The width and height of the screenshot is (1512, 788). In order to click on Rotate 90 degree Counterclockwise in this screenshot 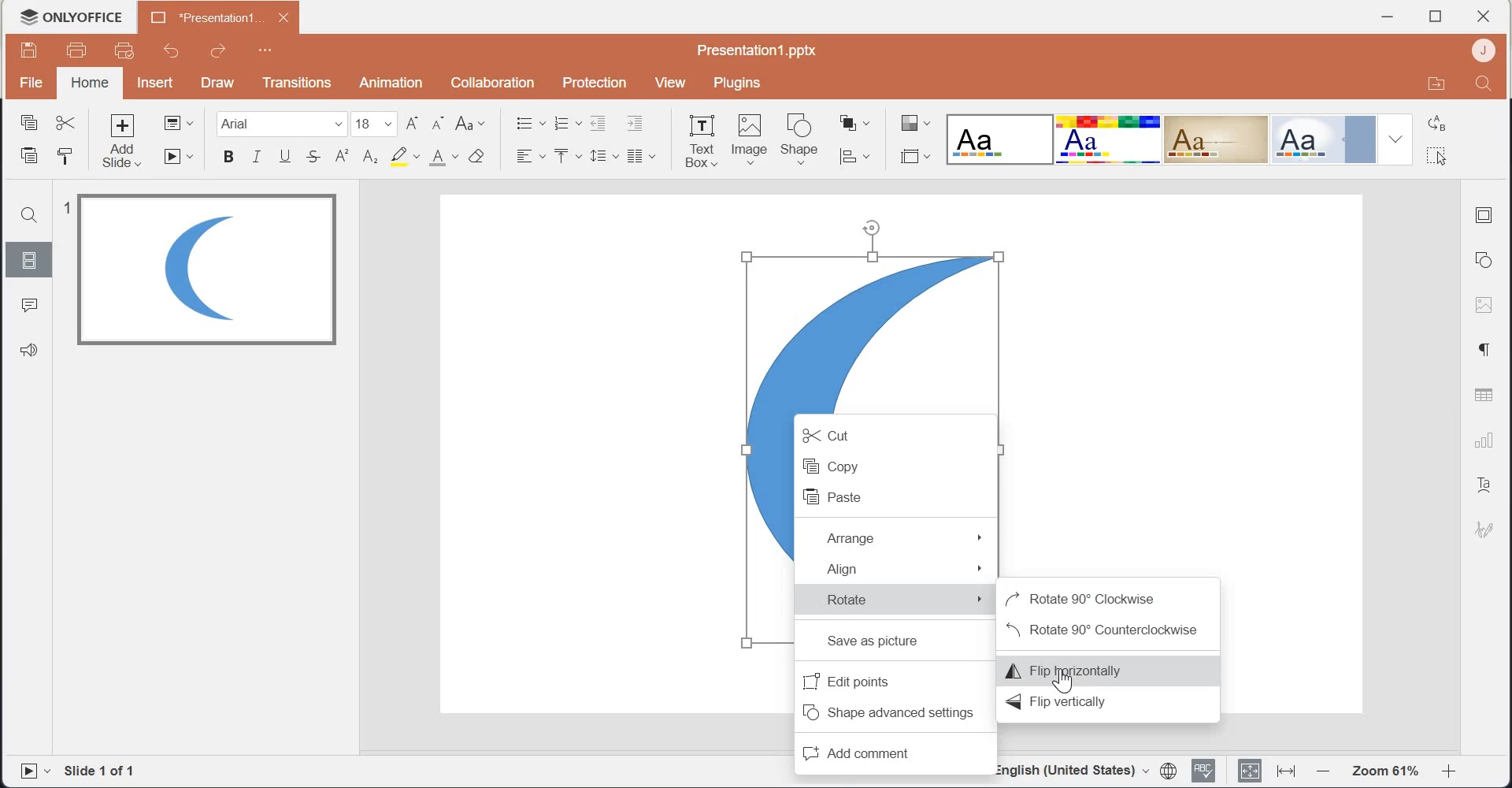, I will do `click(1106, 630)`.